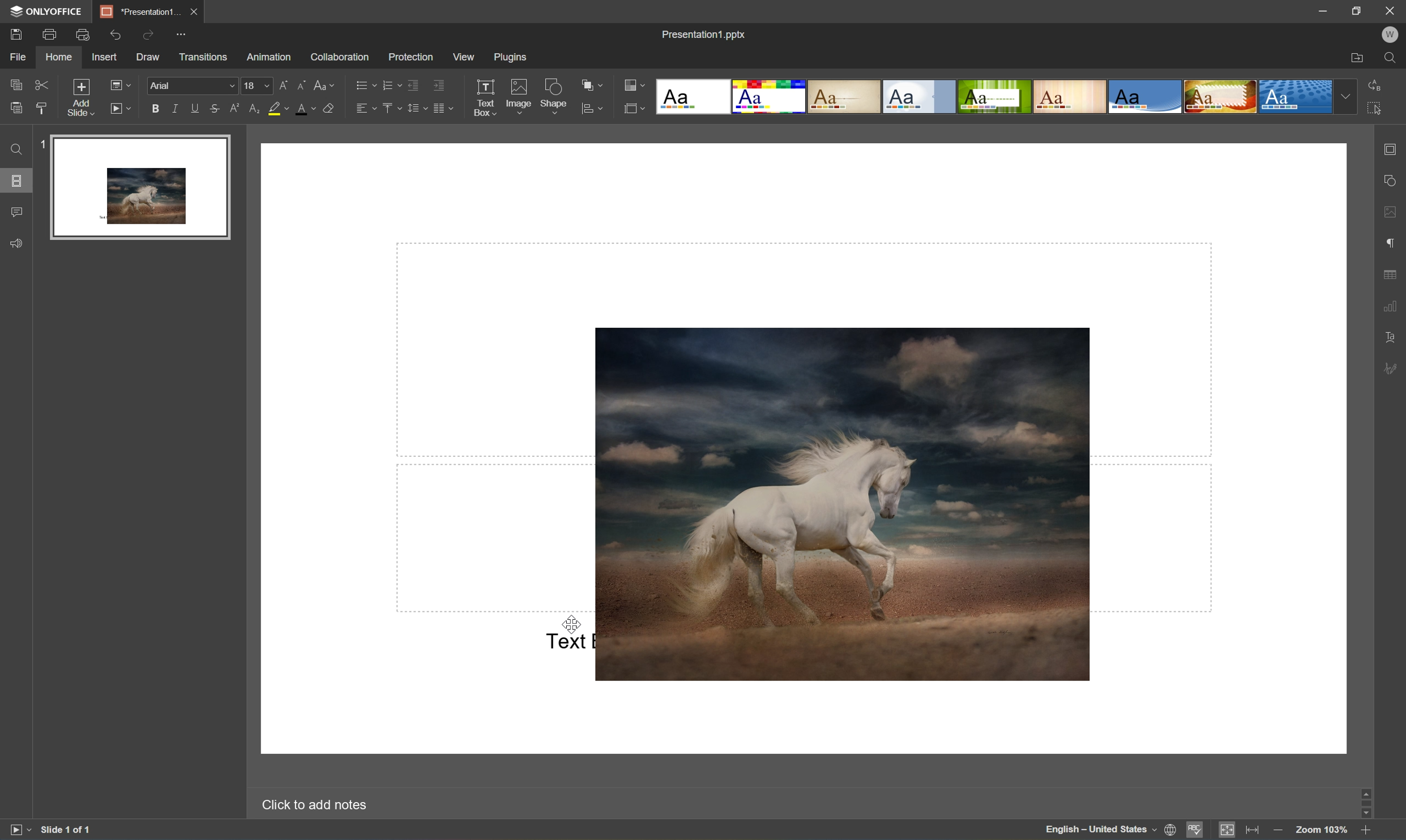 The height and width of the screenshot is (840, 1406). What do you see at coordinates (1394, 242) in the screenshot?
I see `Paragraph settings` at bounding box center [1394, 242].